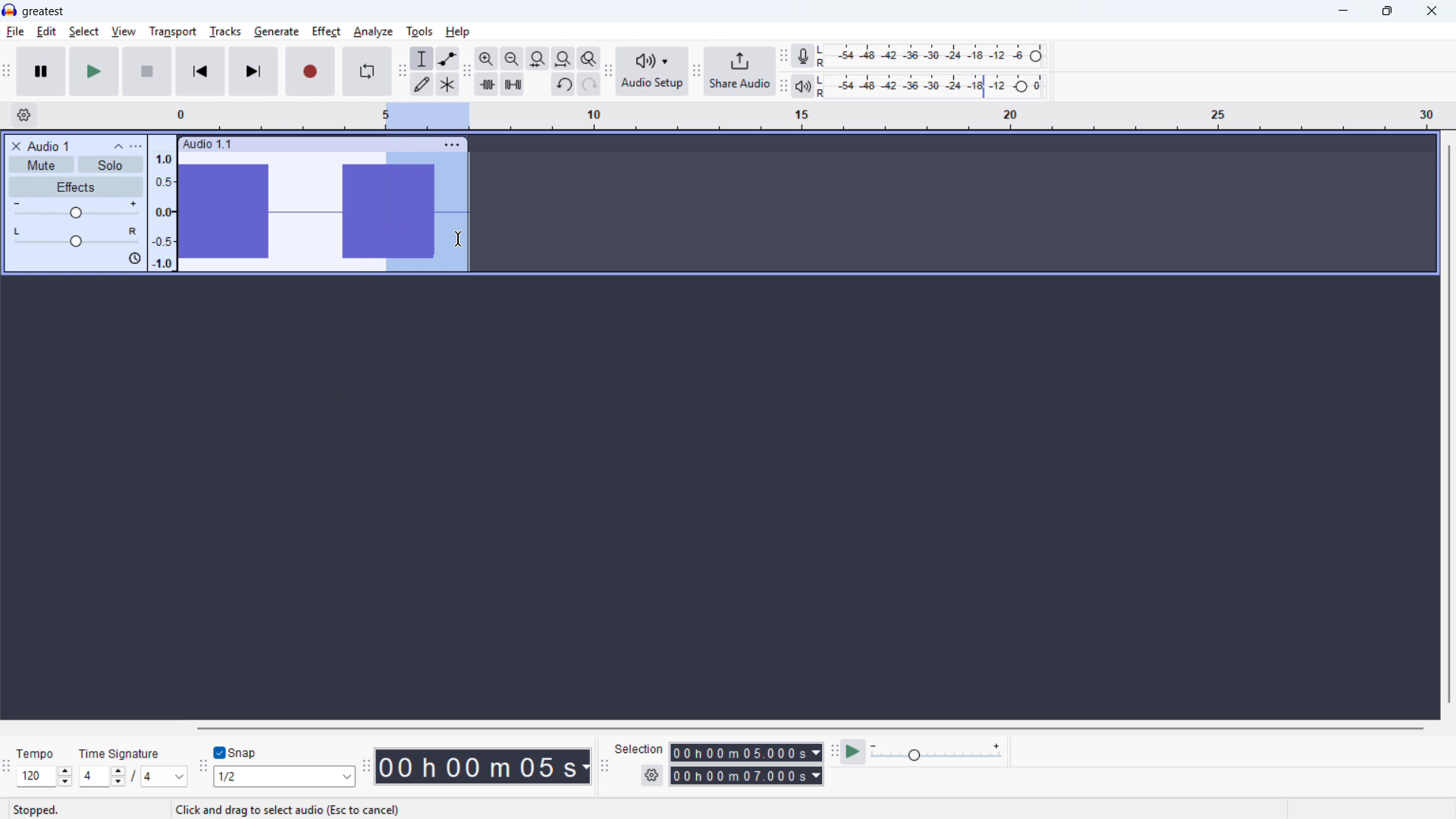 This screenshot has width=1456, height=819. Describe the element at coordinates (163, 209) in the screenshot. I see `amplitude` at that location.